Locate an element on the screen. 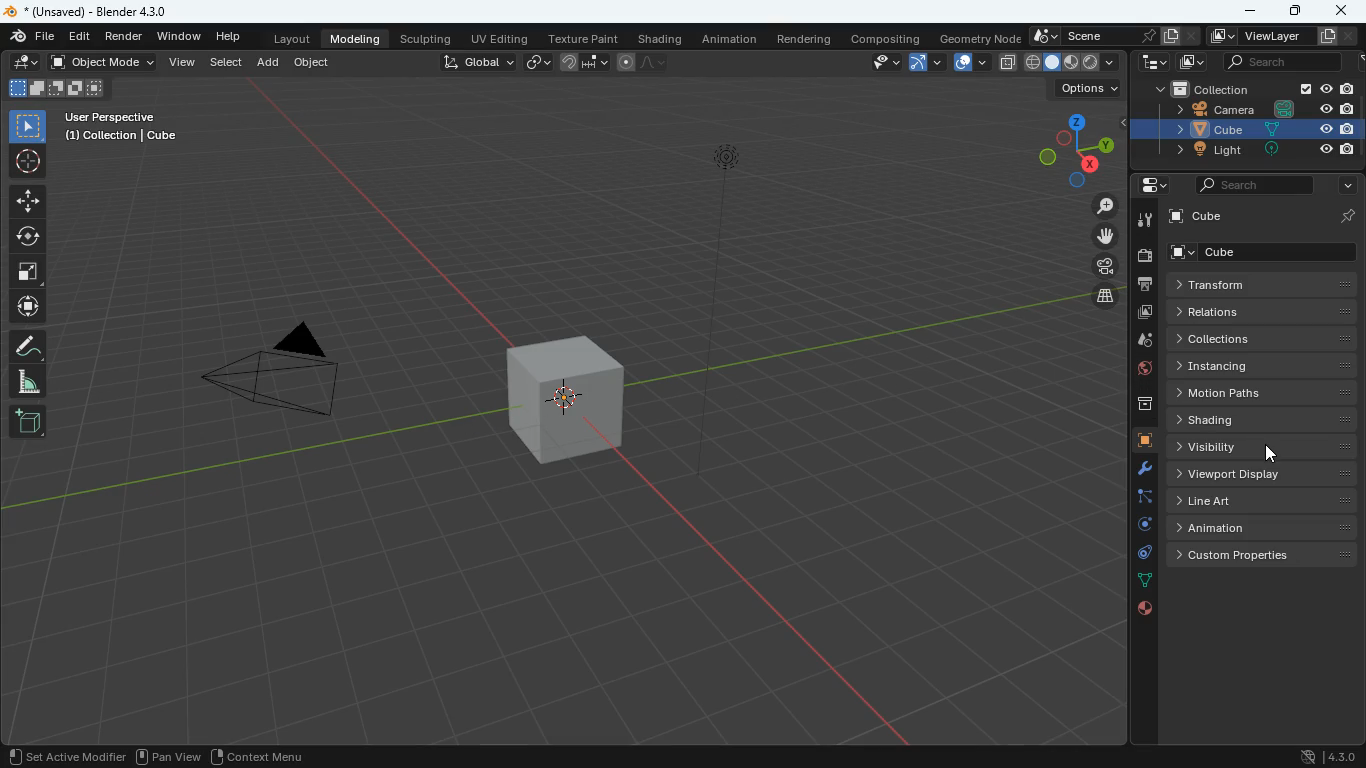  light is located at coordinates (1246, 151).